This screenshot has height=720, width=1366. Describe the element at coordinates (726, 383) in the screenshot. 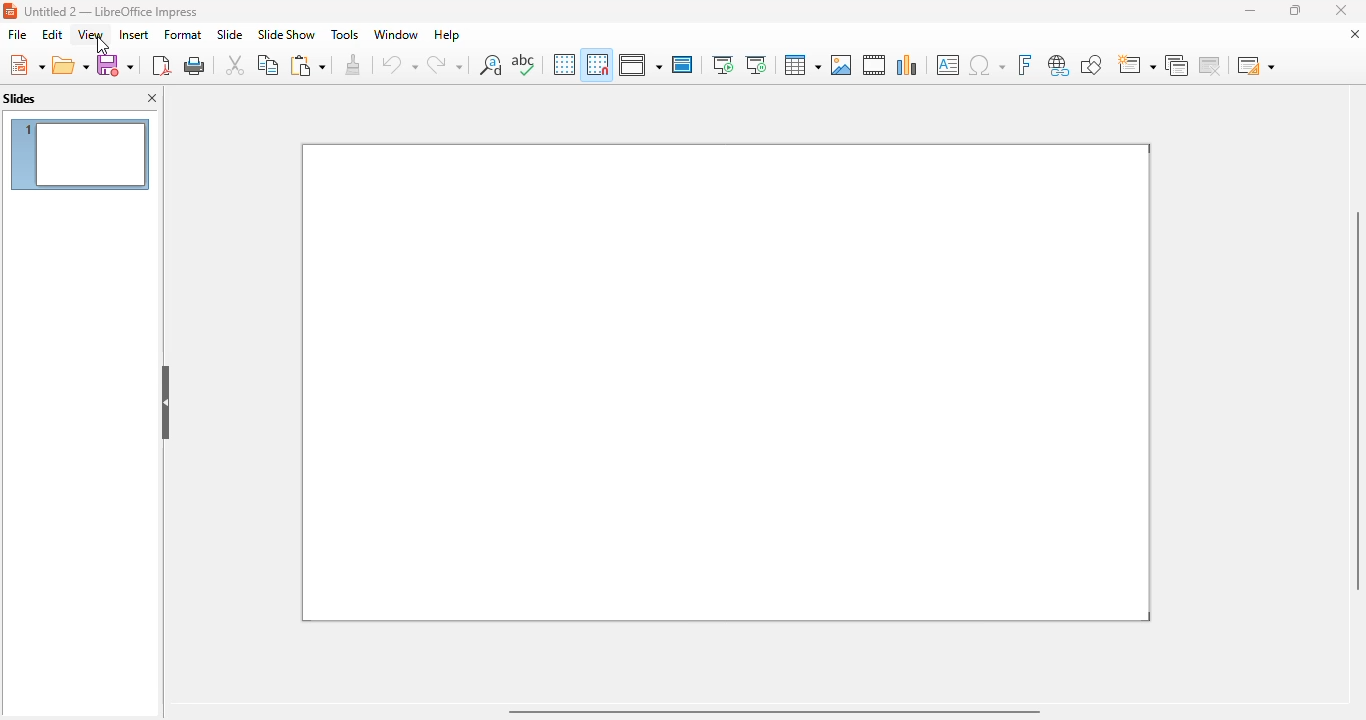

I see `slide 1` at that location.